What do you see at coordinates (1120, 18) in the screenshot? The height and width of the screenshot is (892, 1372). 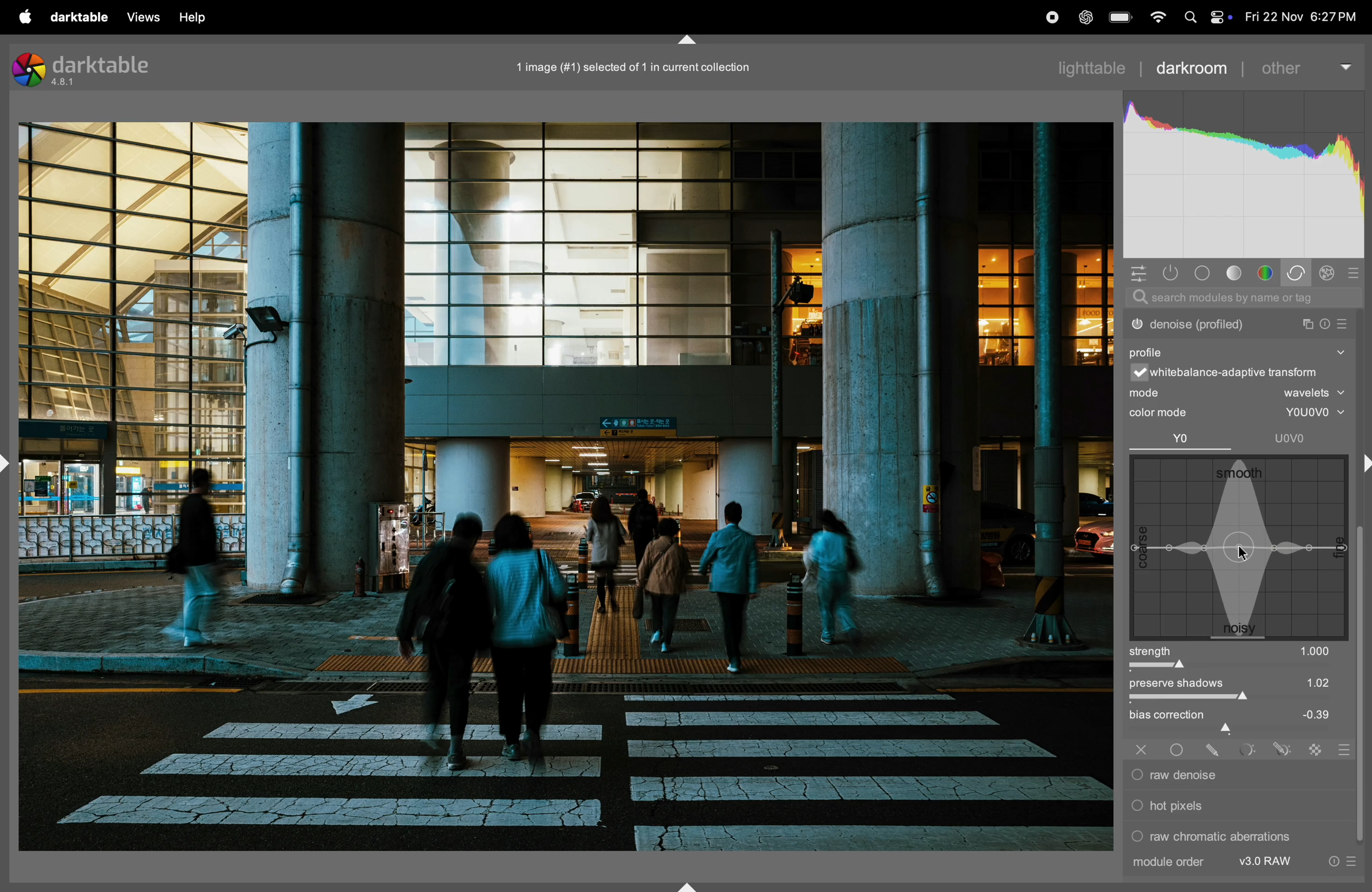 I see `battery` at bounding box center [1120, 18].